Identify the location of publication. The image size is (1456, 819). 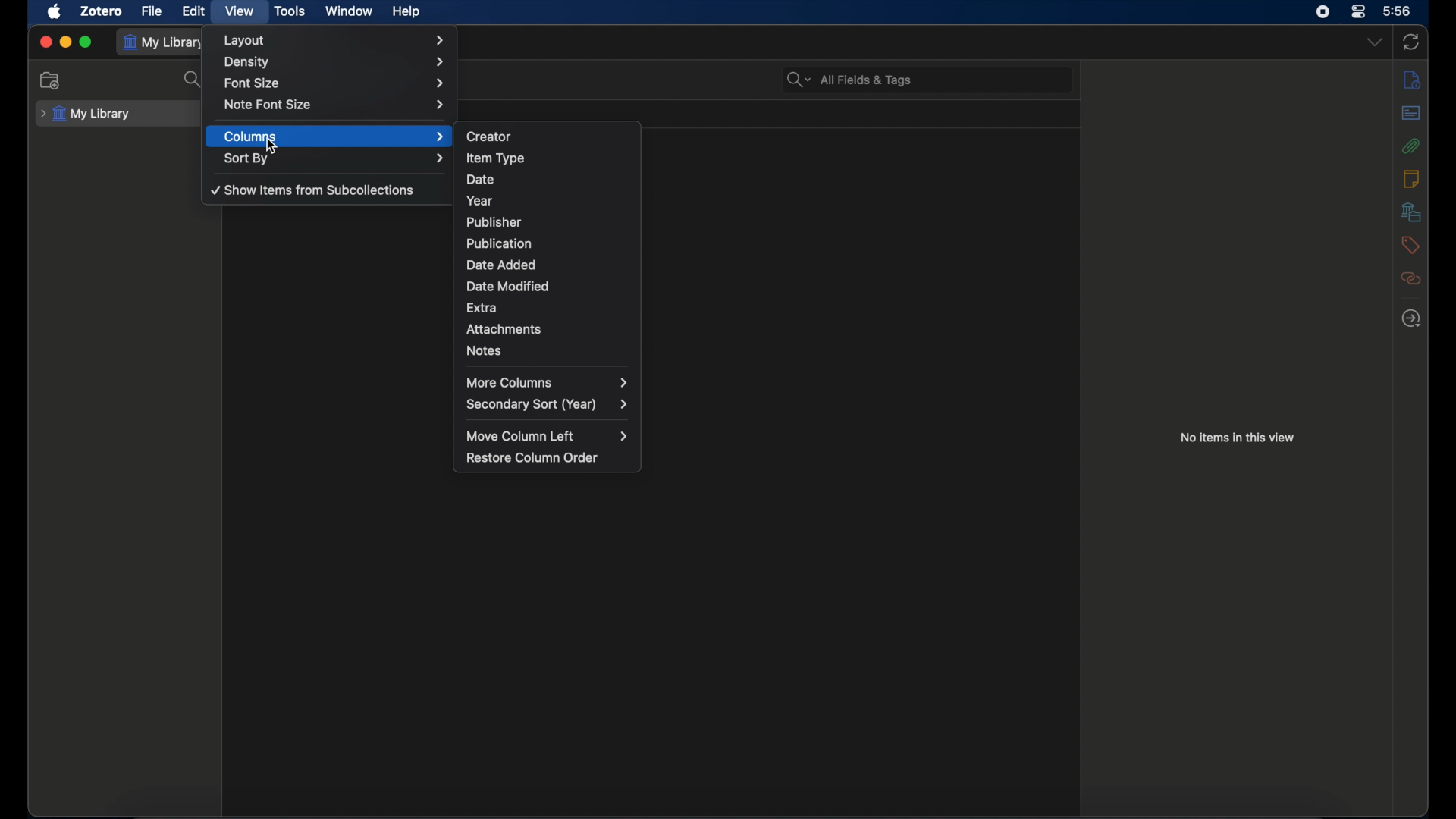
(549, 242).